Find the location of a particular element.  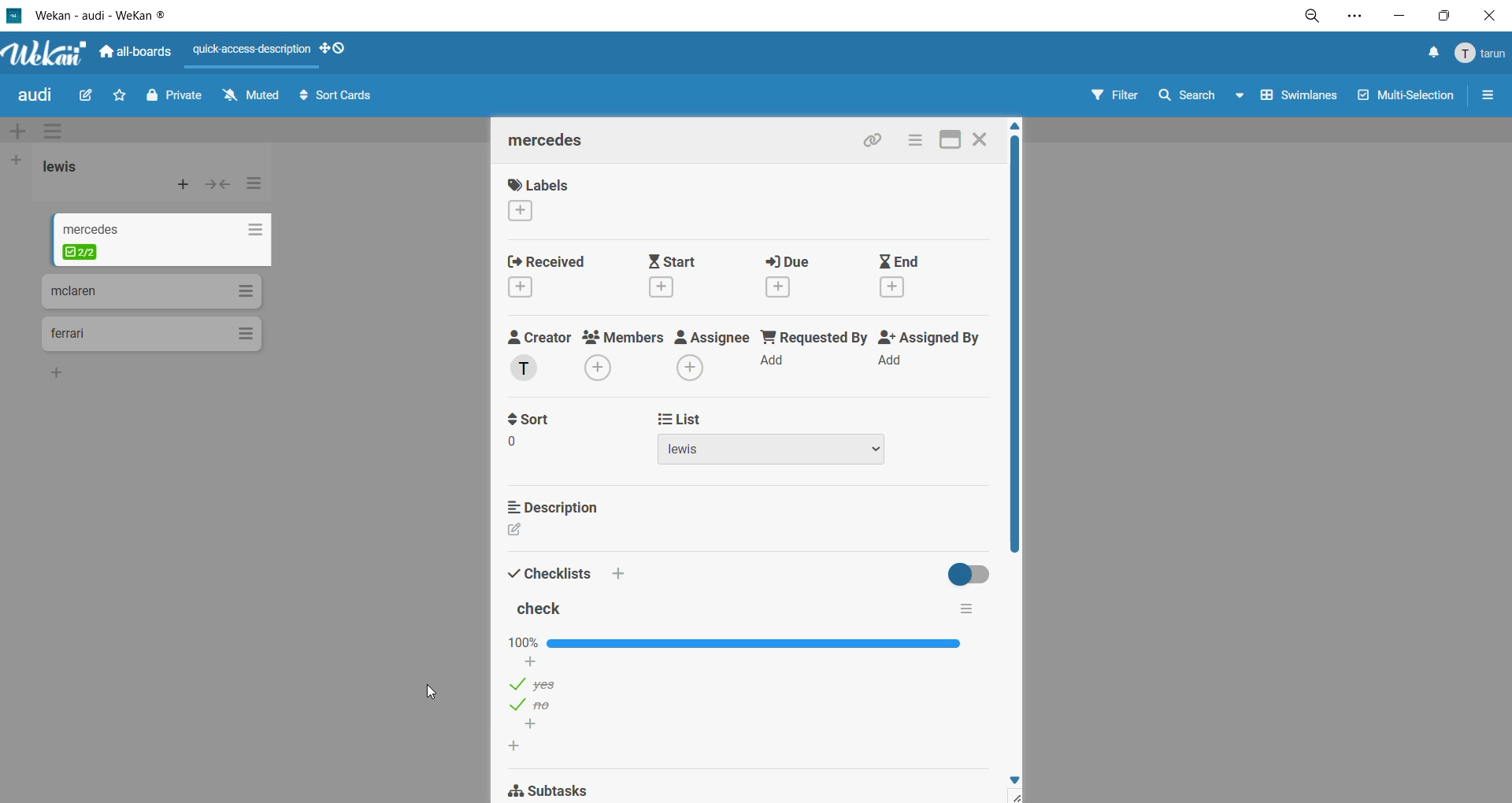

end is located at coordinates (903, 275).